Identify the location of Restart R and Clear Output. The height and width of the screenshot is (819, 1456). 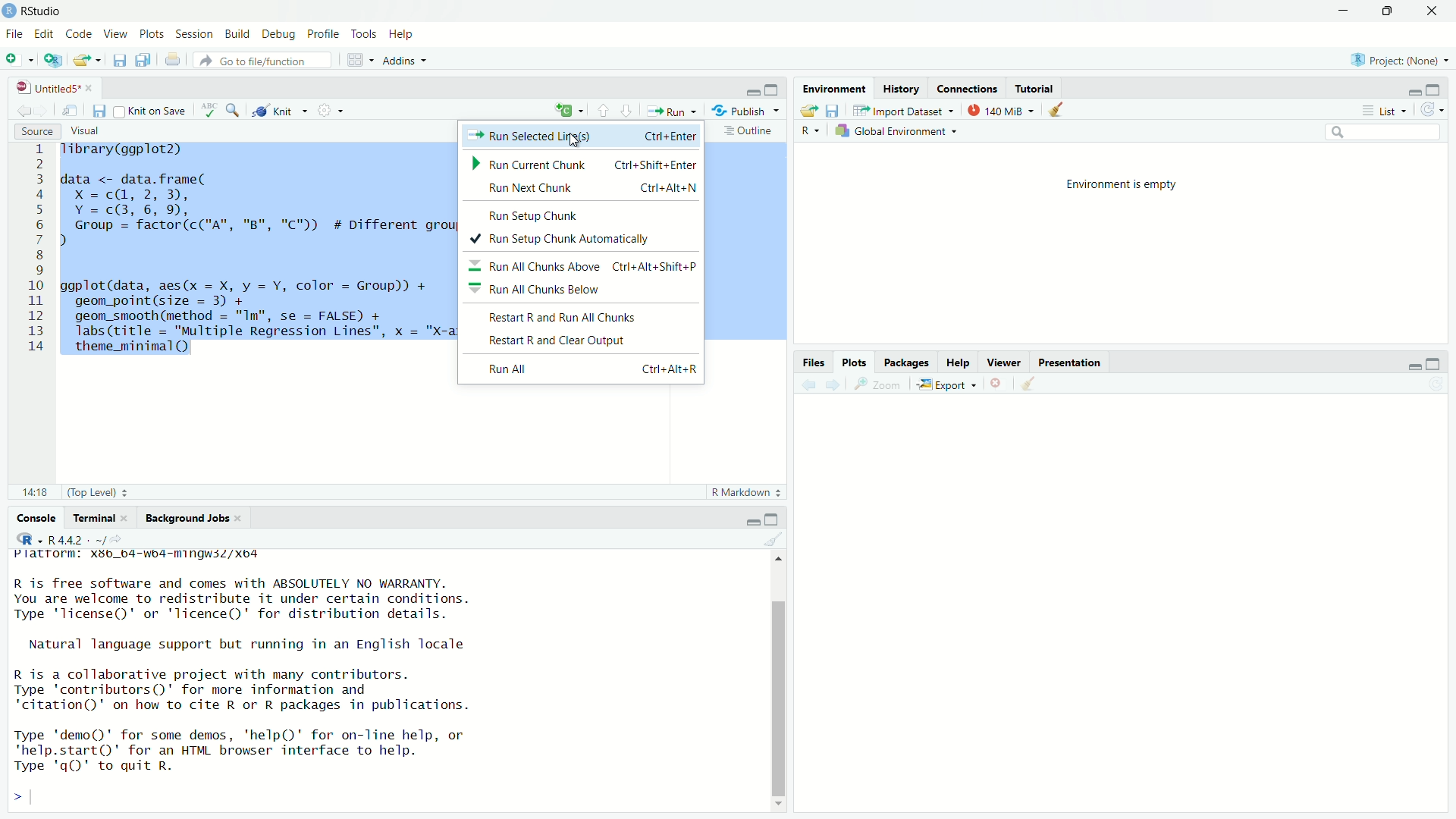
(564, 344).